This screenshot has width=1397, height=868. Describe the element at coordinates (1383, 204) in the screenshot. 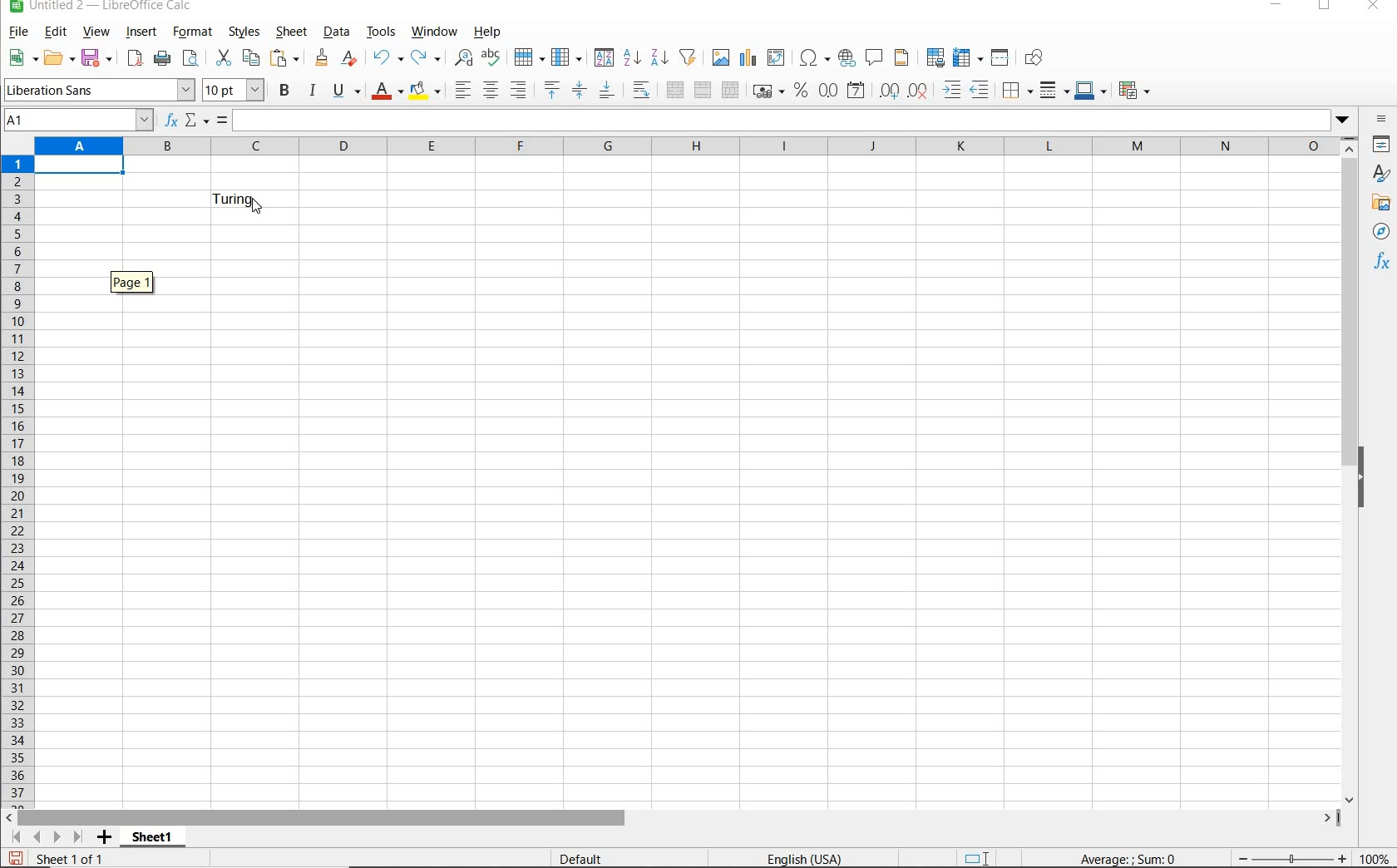

I see `GALLERY` at that location.